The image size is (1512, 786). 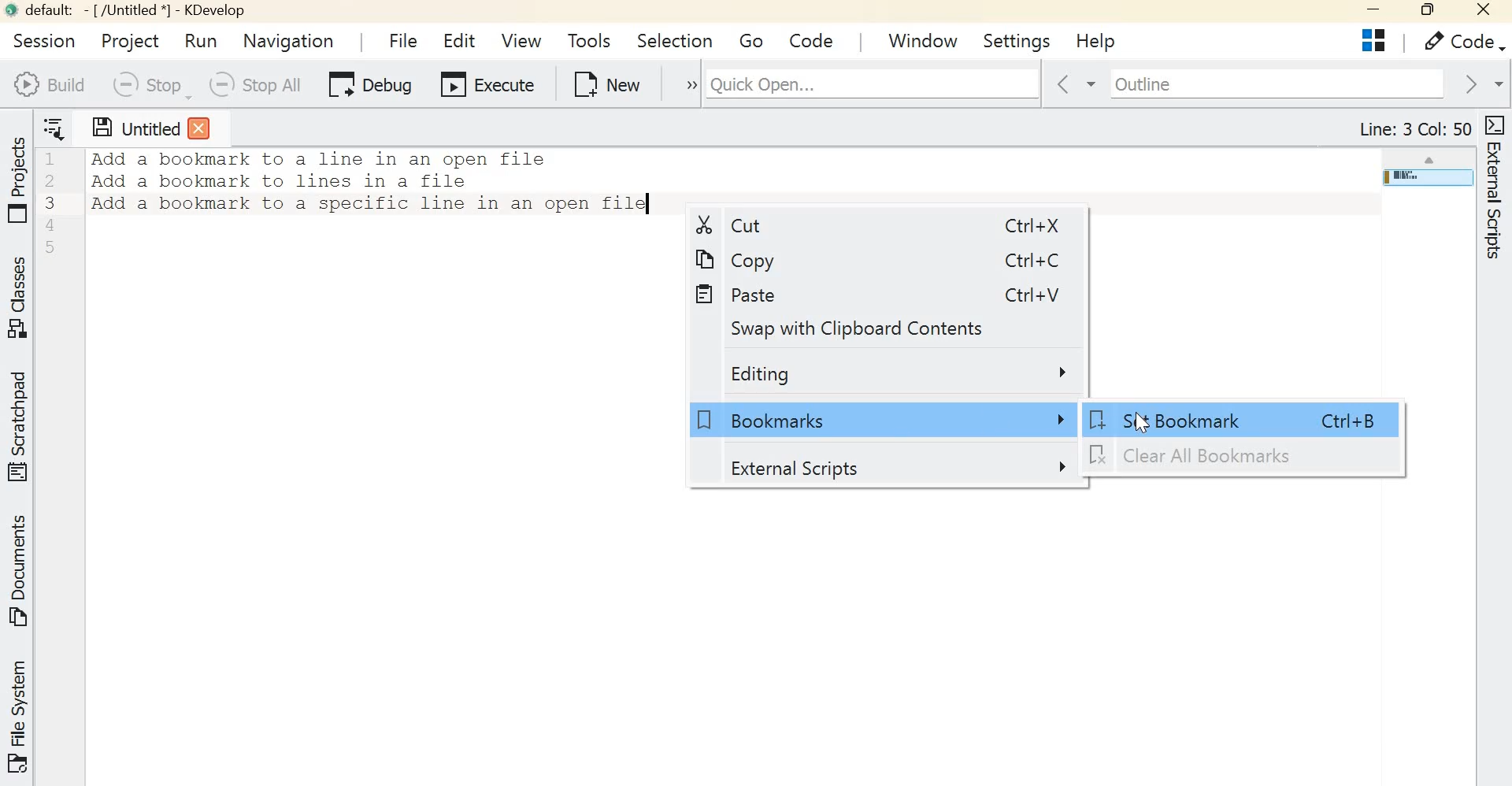 I want to click on Tools, so click(x=587, y=40).